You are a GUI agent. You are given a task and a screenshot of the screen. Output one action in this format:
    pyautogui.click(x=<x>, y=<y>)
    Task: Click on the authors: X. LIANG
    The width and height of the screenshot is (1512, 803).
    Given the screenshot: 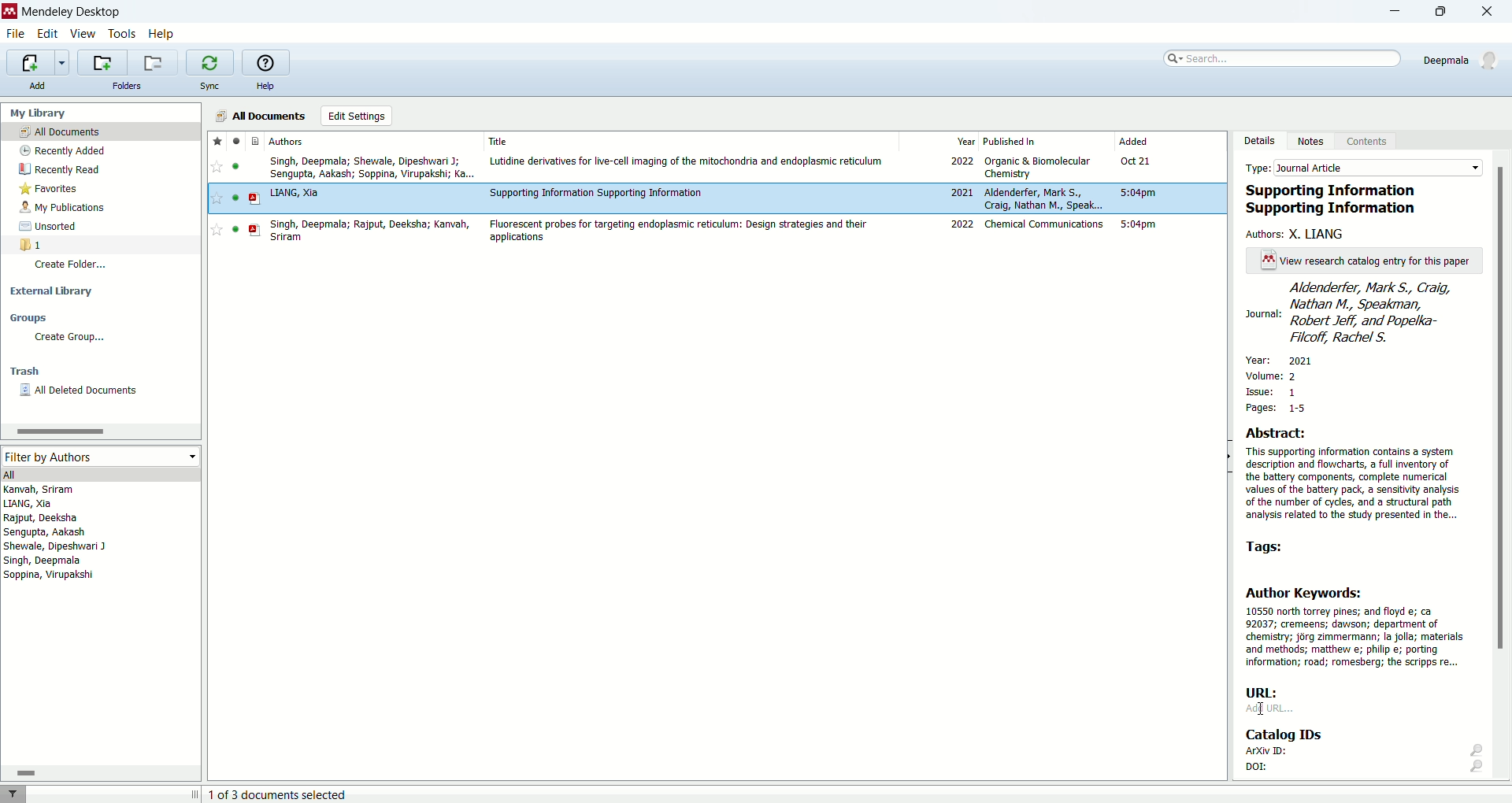 What is the action you would take?
    pyautogui.click(x=1299, y=234)
    